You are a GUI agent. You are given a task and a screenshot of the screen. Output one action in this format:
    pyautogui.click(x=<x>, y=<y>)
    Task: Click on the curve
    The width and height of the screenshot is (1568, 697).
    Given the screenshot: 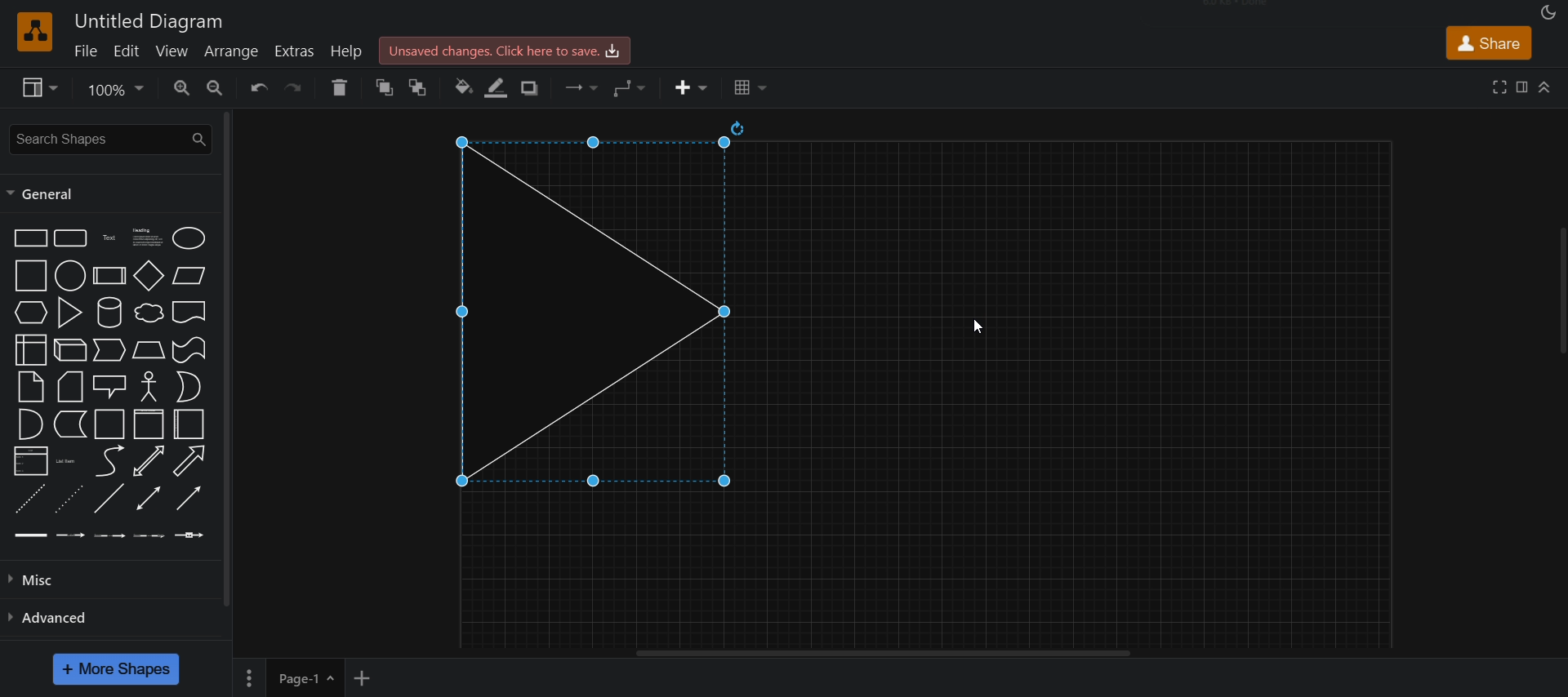 What is the action you would take?
    pyautogui.click(x=105, y=460)
    